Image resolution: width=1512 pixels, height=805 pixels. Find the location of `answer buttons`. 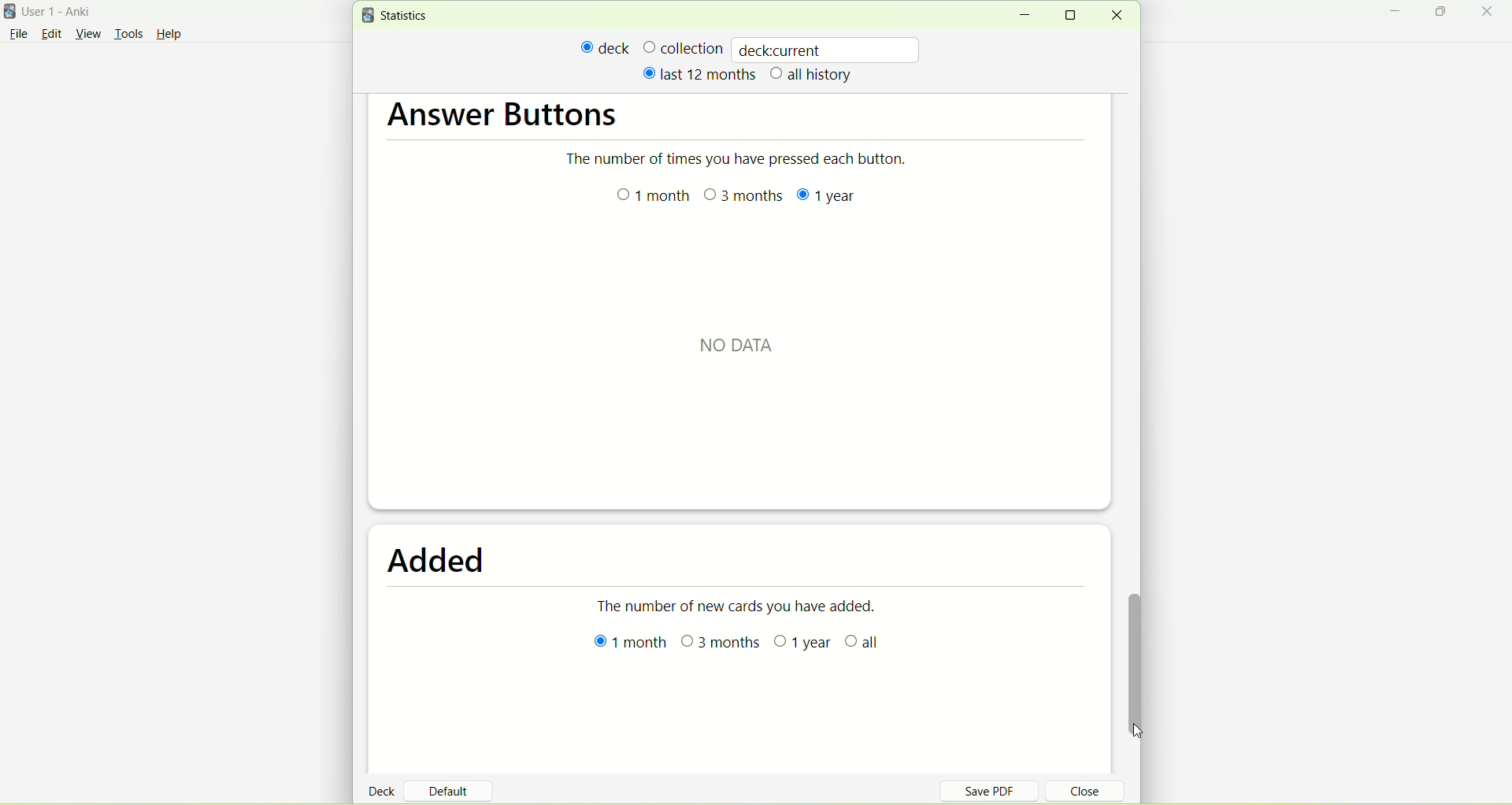

answer buttons is located at coordinates (508, 119).